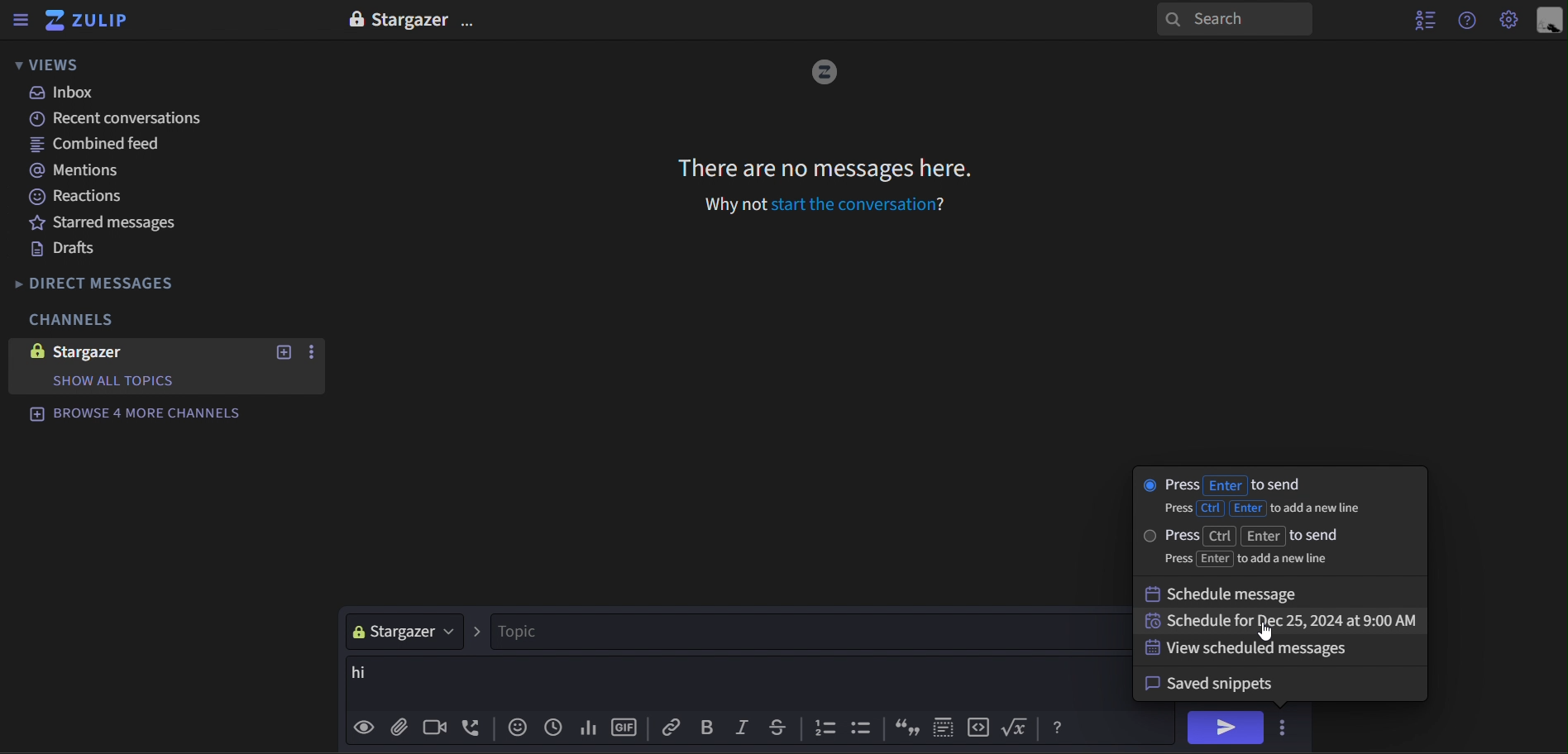 The image size is (1568, 754). What do you see at coordinates (812, 631) in the screenshot?
I see `topic` at bounding box center [812, 631].